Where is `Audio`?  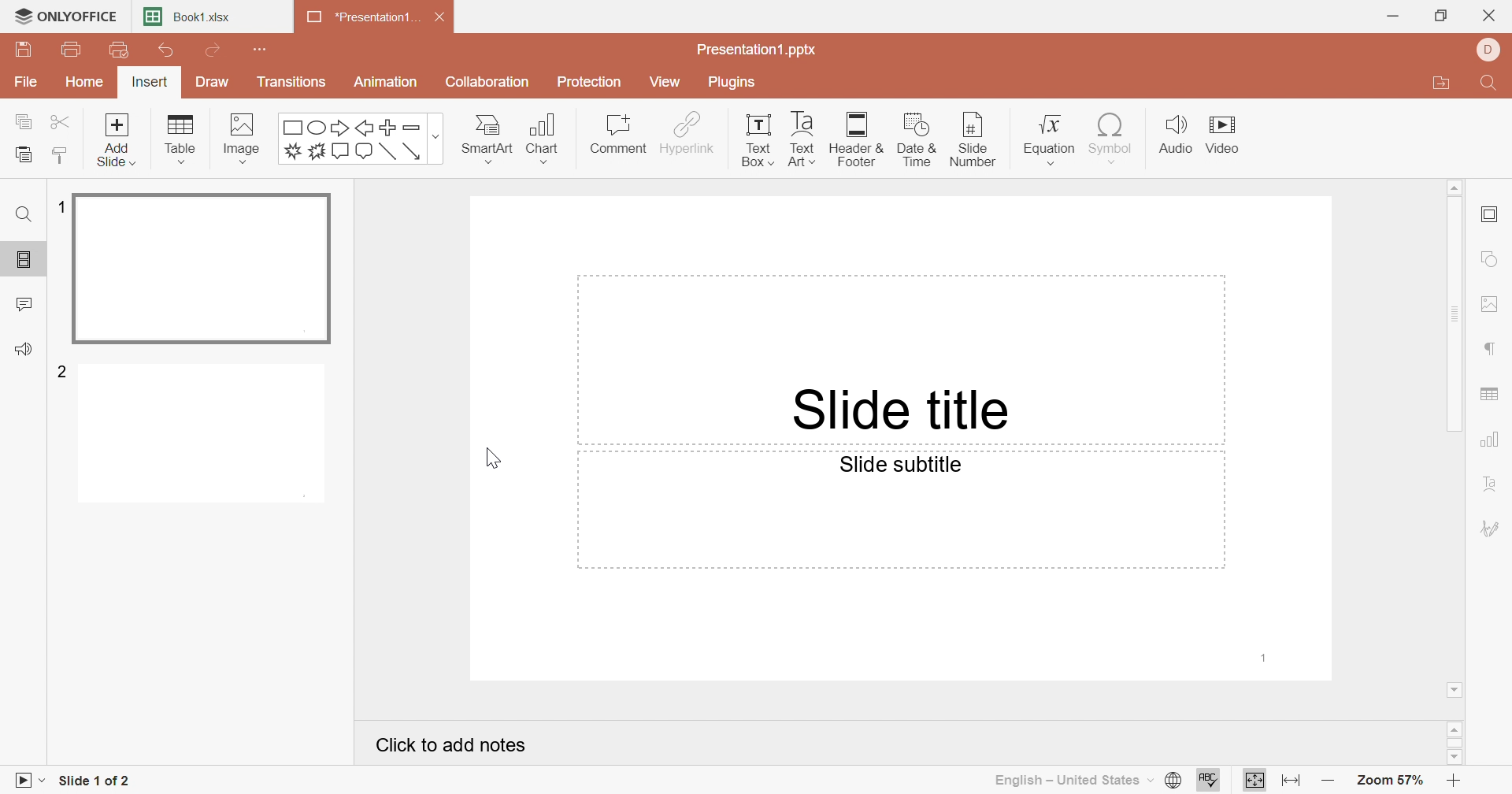
Audio is located at coordinates (1176, 135).